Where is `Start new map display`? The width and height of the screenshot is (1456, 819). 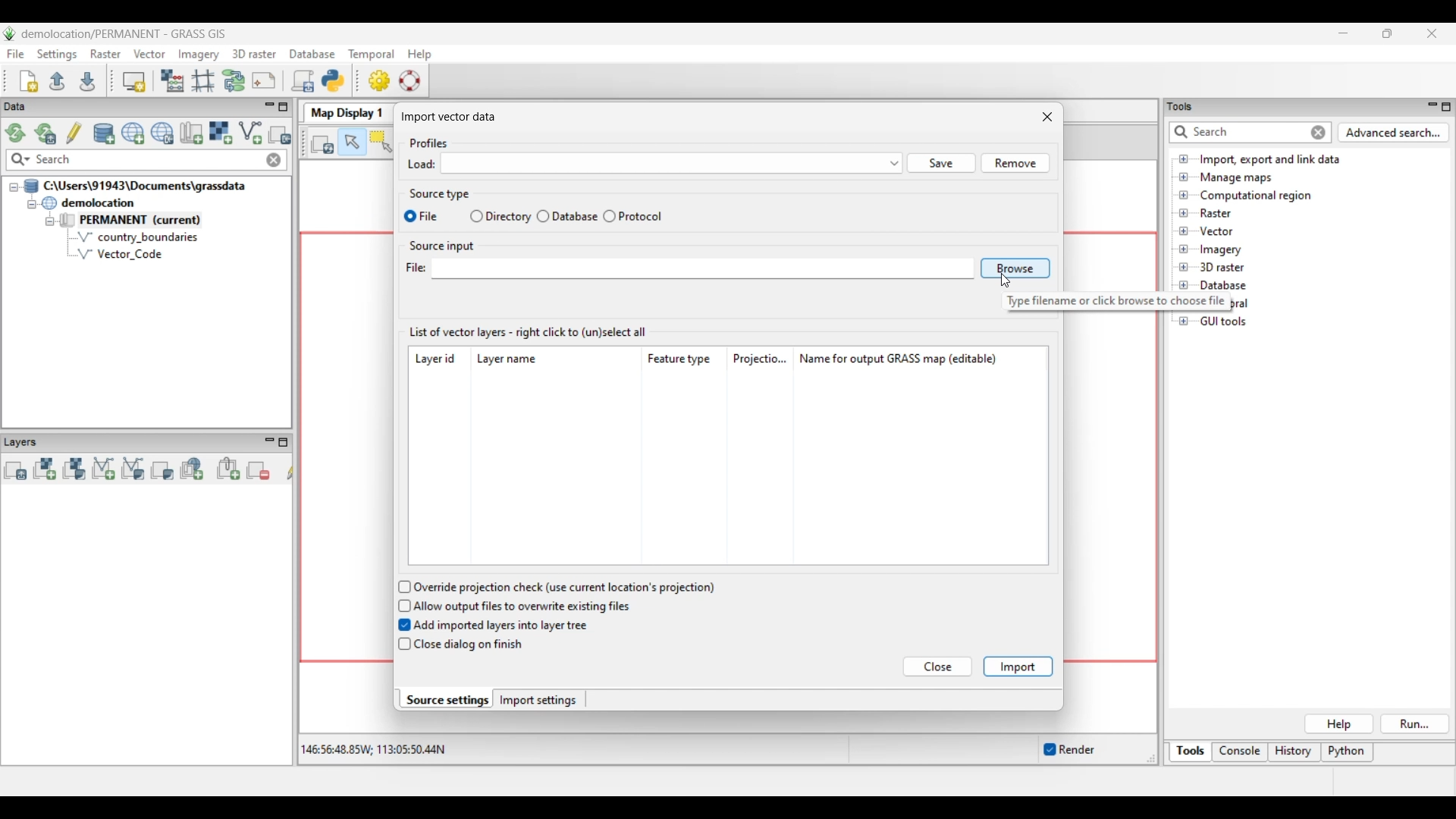
Start new map display is located at coordinates (134, 82).